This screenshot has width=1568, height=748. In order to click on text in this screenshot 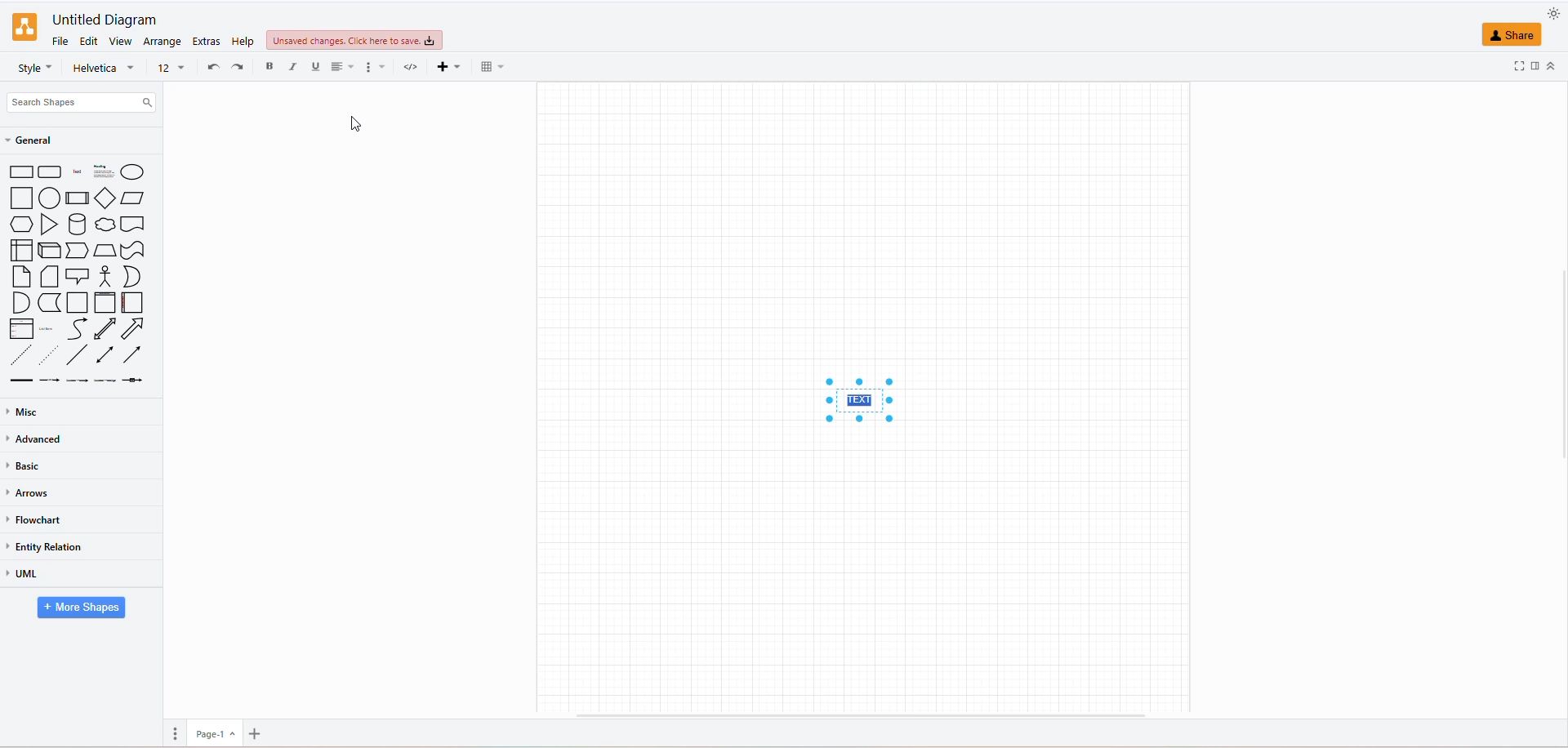, I will do `click(858, 398)`.